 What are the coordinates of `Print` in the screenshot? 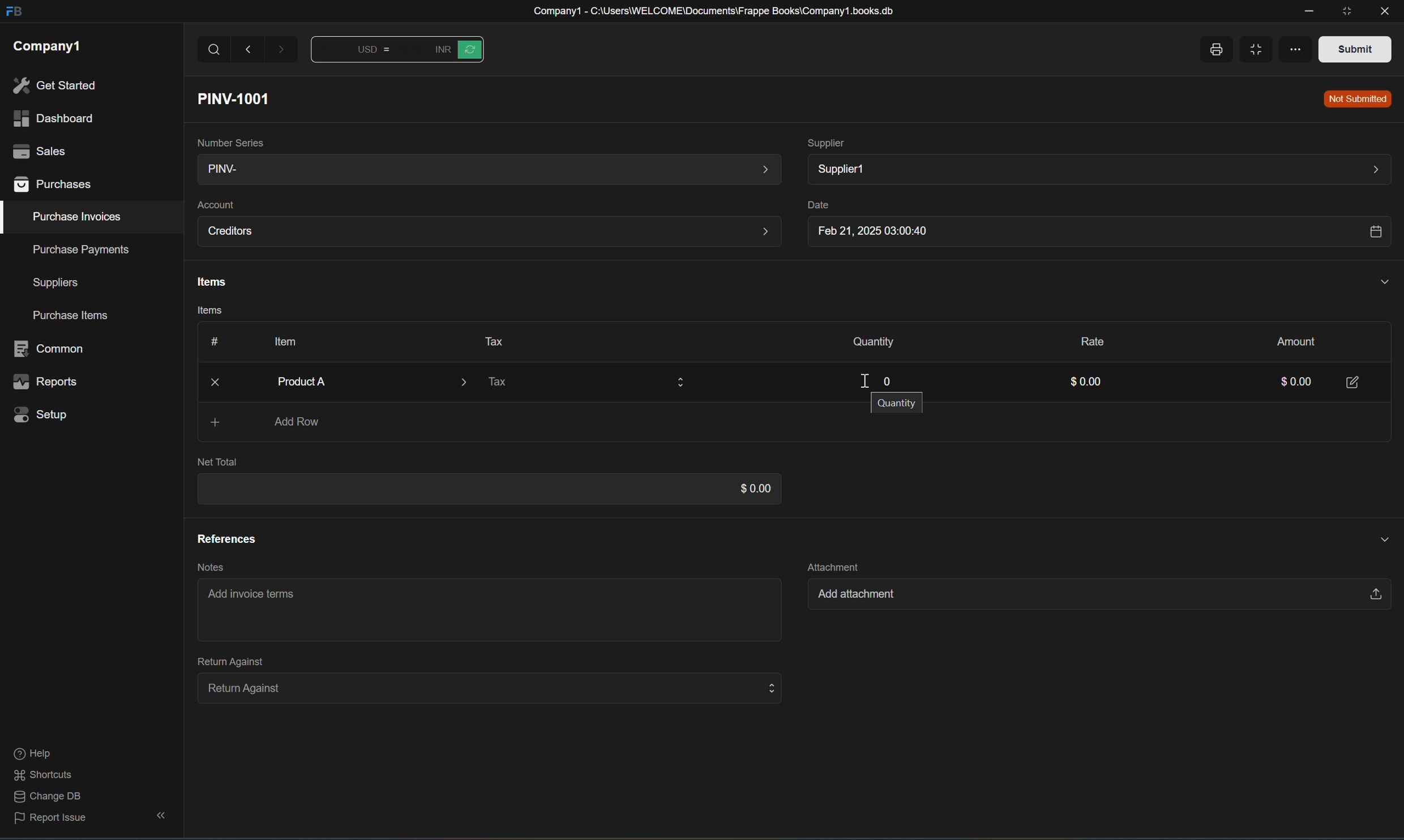 It's located at (1217, 49).